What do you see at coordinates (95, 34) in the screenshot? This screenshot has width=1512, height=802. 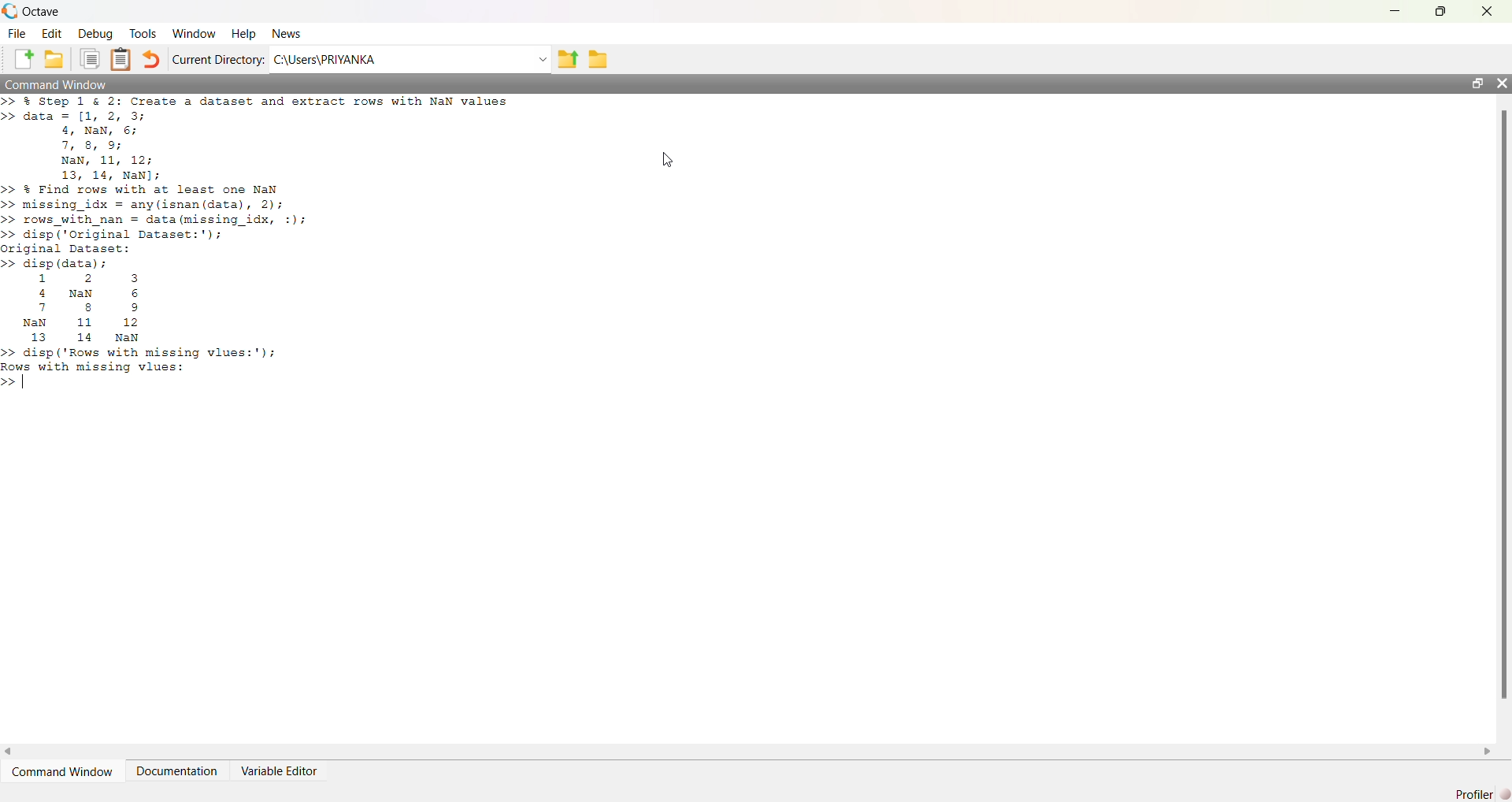 I see `Debug` at bounding box center [95, 34].